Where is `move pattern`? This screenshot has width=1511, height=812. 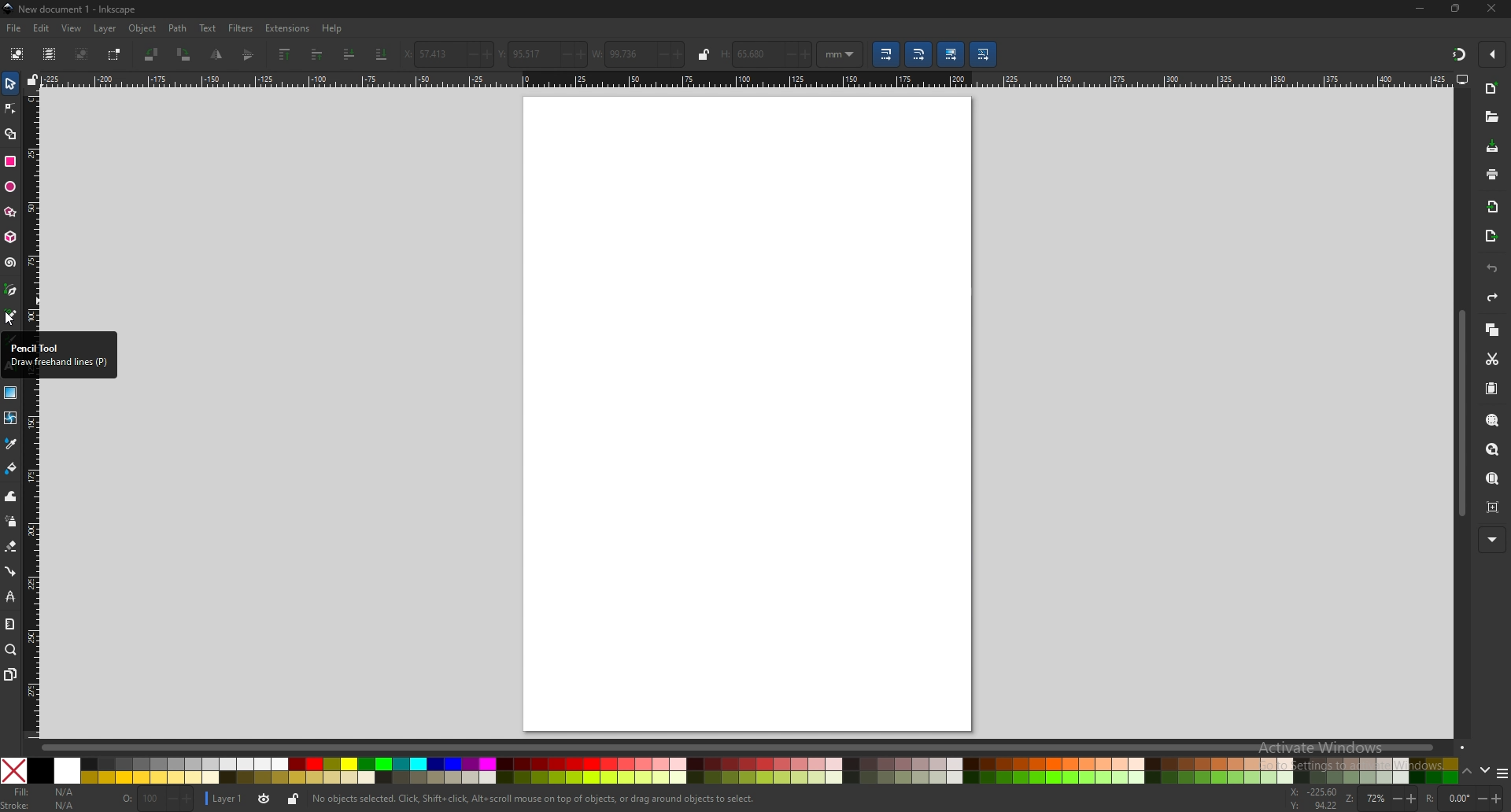 move pattern is located at coordinates (984, 54).